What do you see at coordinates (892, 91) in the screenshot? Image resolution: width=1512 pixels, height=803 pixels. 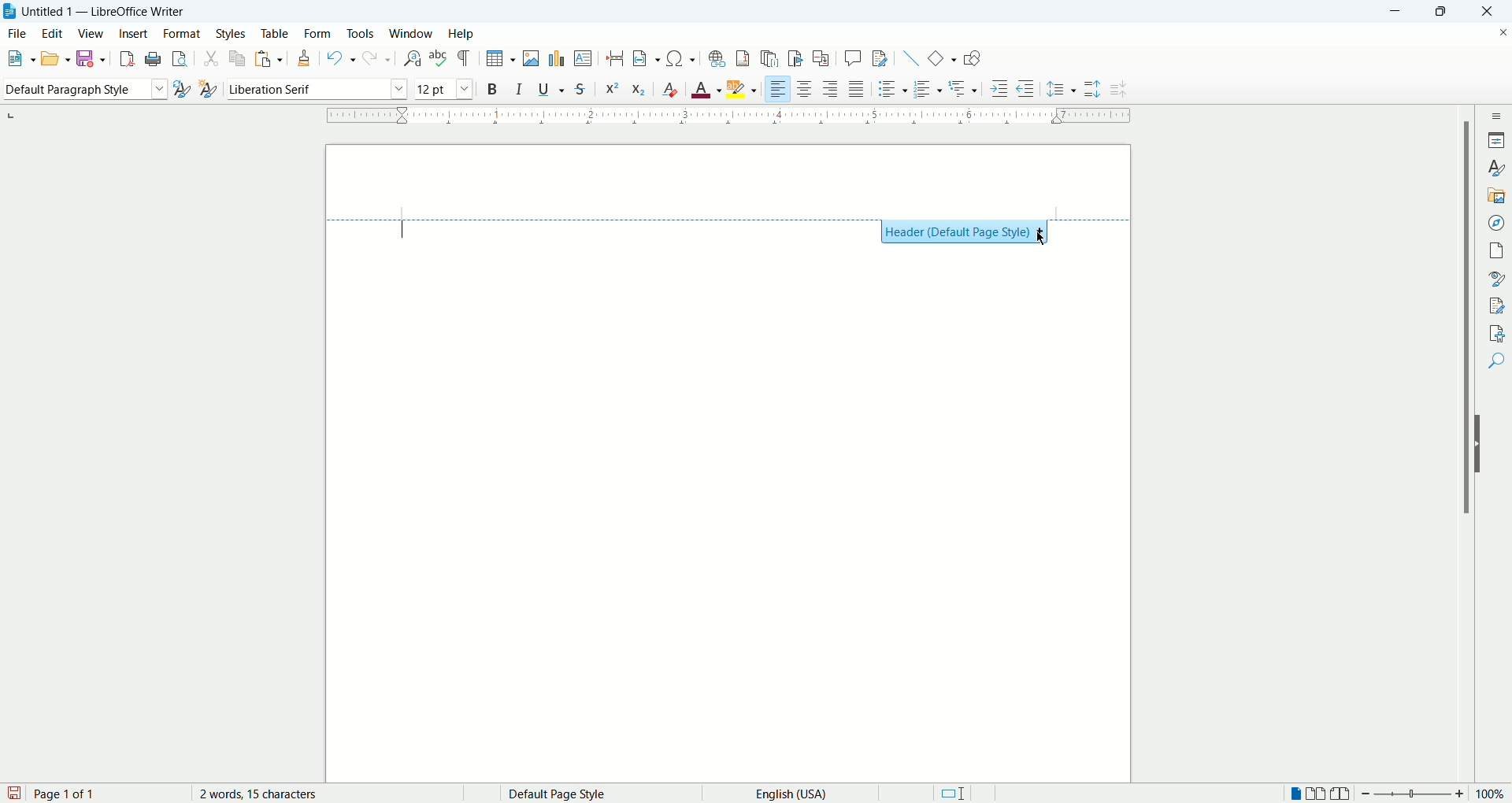 I see `unordered list` at bounding box center [892, 91].